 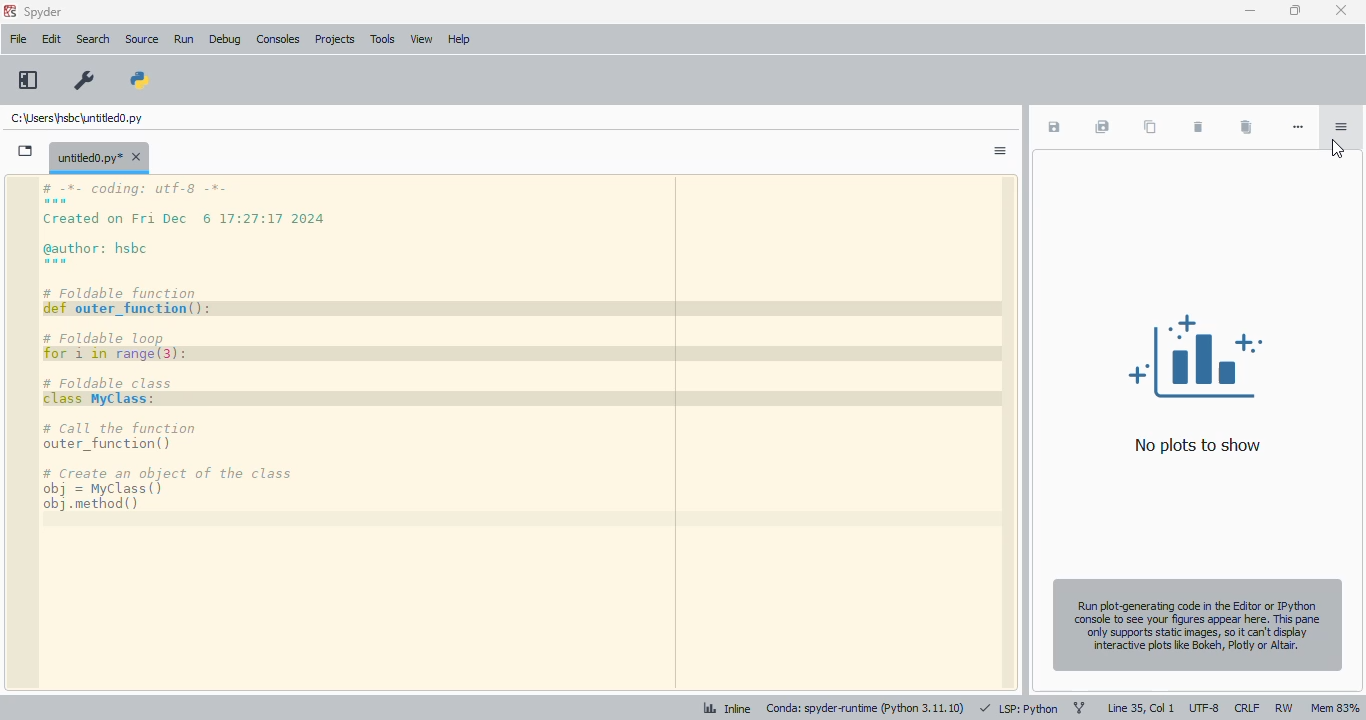 What do you see at coordinates (85, 80) in the screenshot?
I see `preferences` at bounding box center [85, 80].